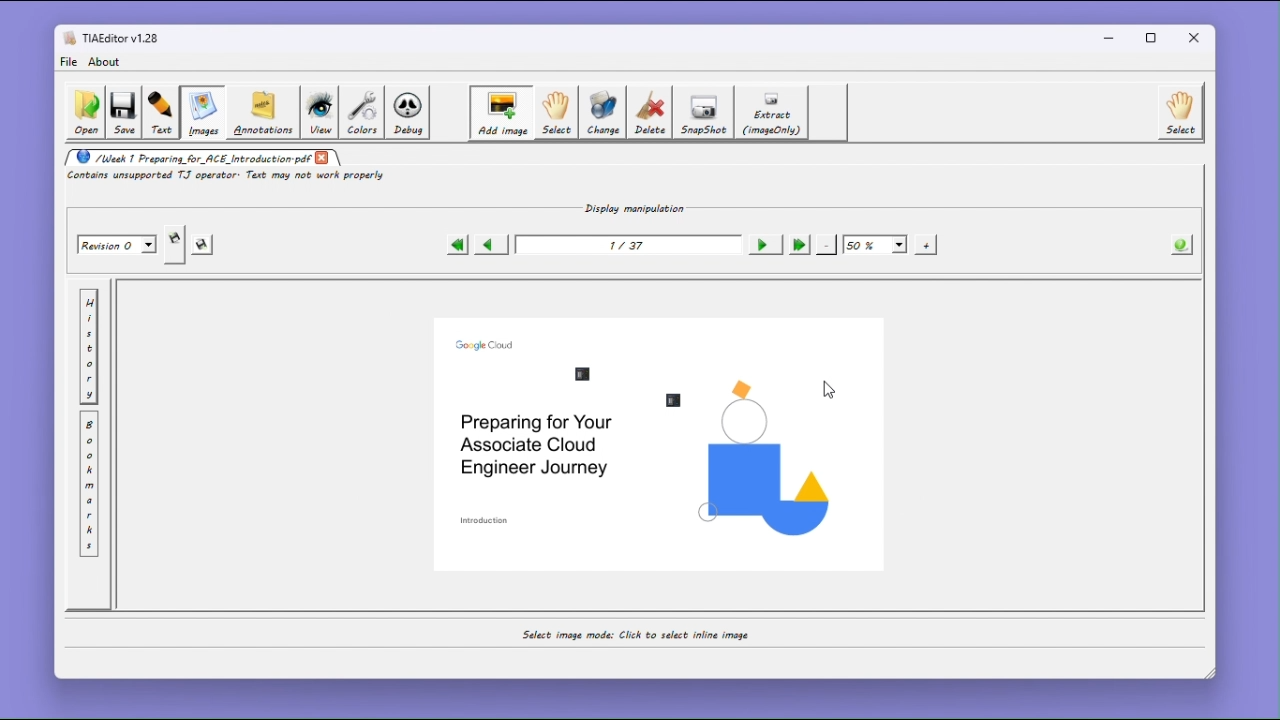 The height and width of the screenshot is (720, 1280). I want to click on The information About the PDF opened, so click(1183, 243).